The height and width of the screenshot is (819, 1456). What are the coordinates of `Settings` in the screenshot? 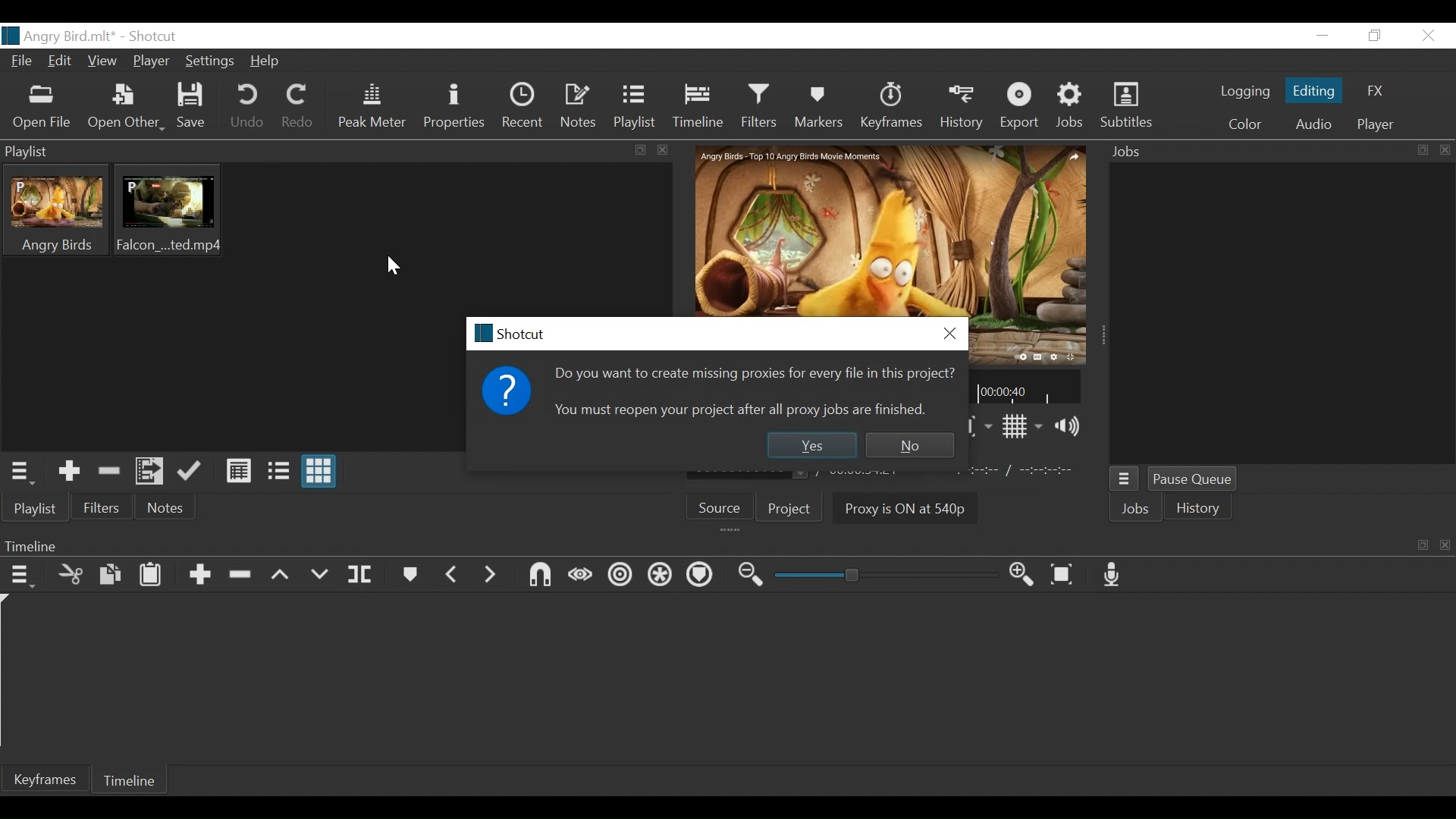 It's located at (210, 63).